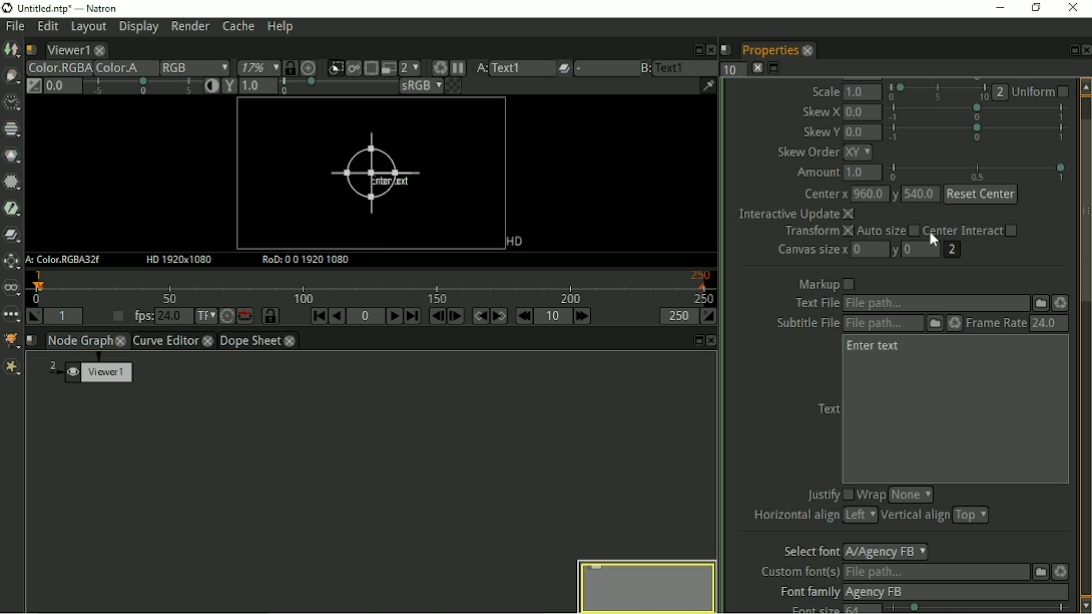 Image resolution: width=1092 pixels, height=614 pixels. What do you see at coordinates (885, 324) in the screenshot?
I see `Subtitle File` at bounding box center [885, 324].